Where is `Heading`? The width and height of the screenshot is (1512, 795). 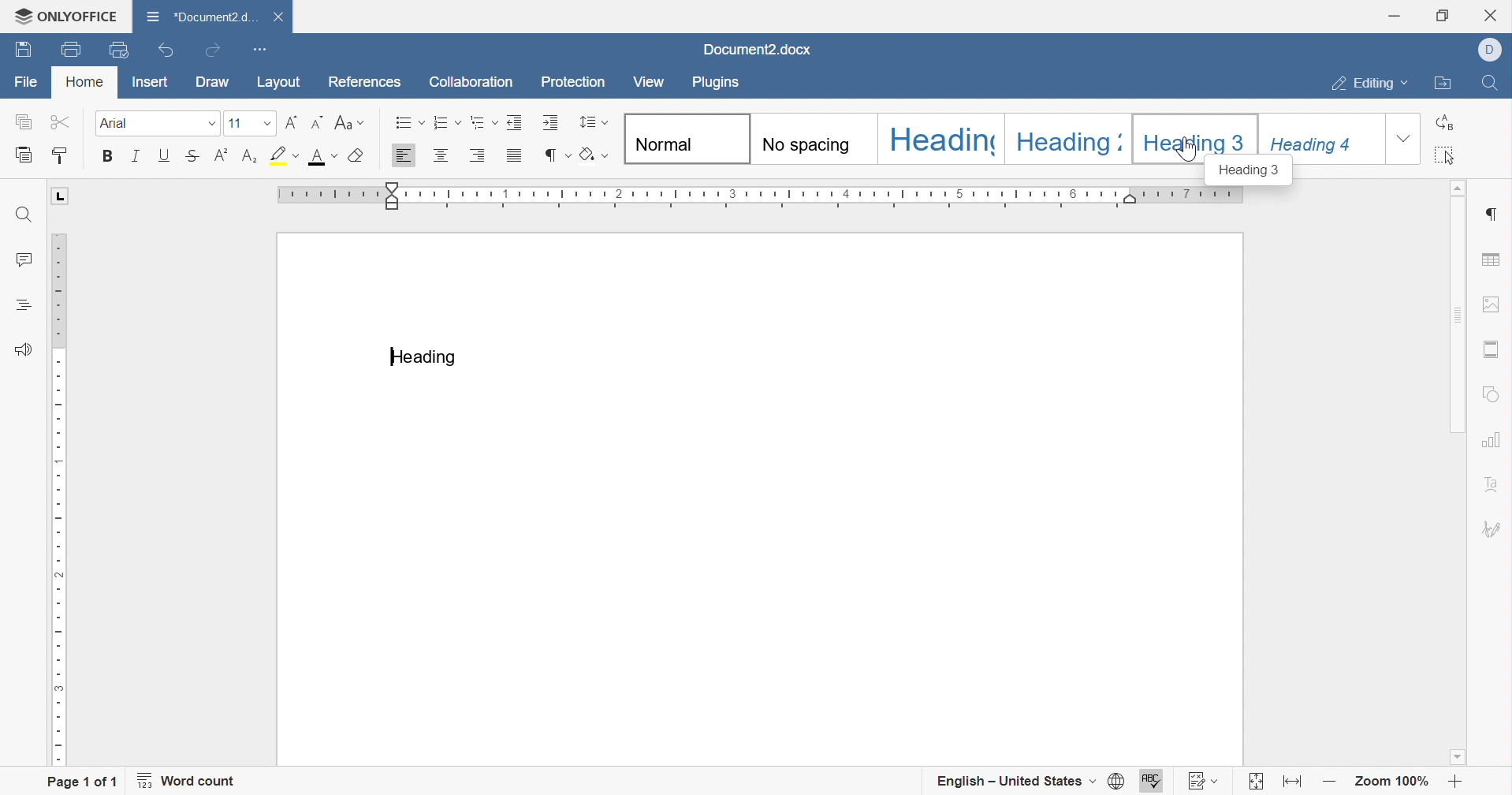 Heading is located at coordinates (426, 358).